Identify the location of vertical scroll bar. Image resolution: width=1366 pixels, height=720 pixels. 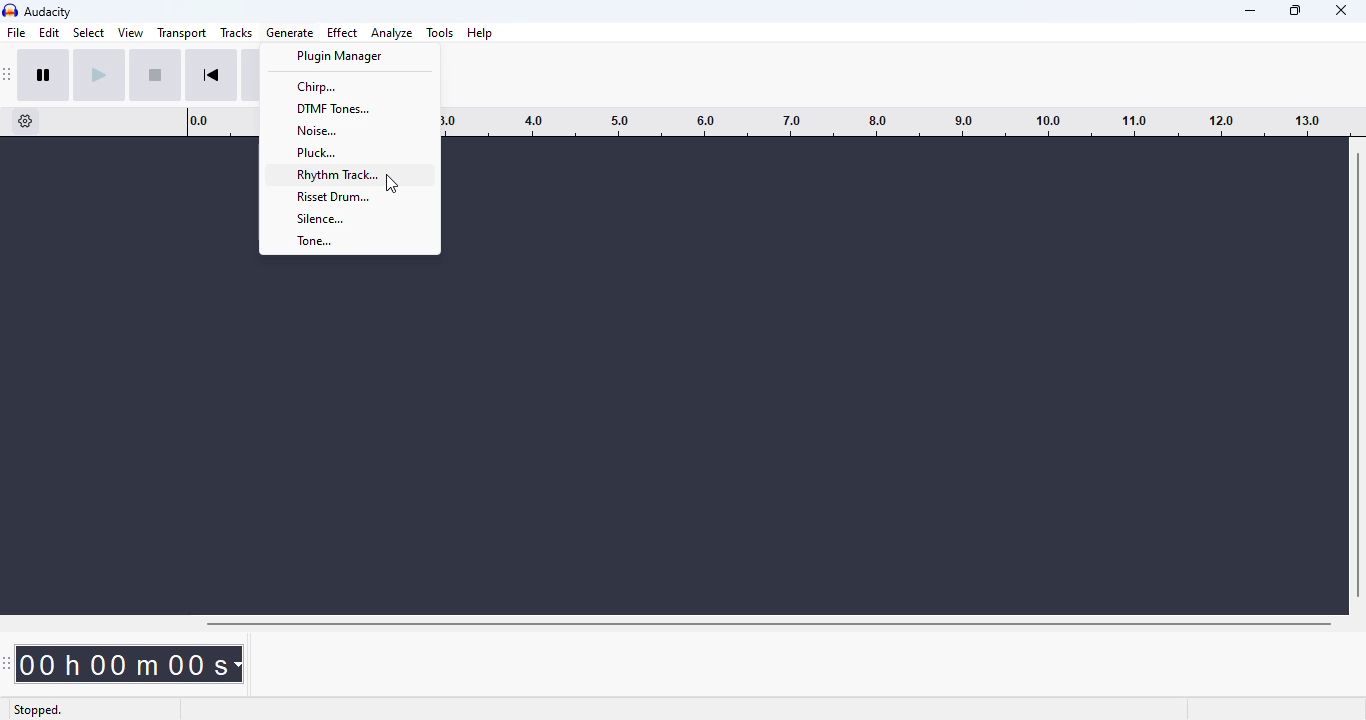
(1358, 371).